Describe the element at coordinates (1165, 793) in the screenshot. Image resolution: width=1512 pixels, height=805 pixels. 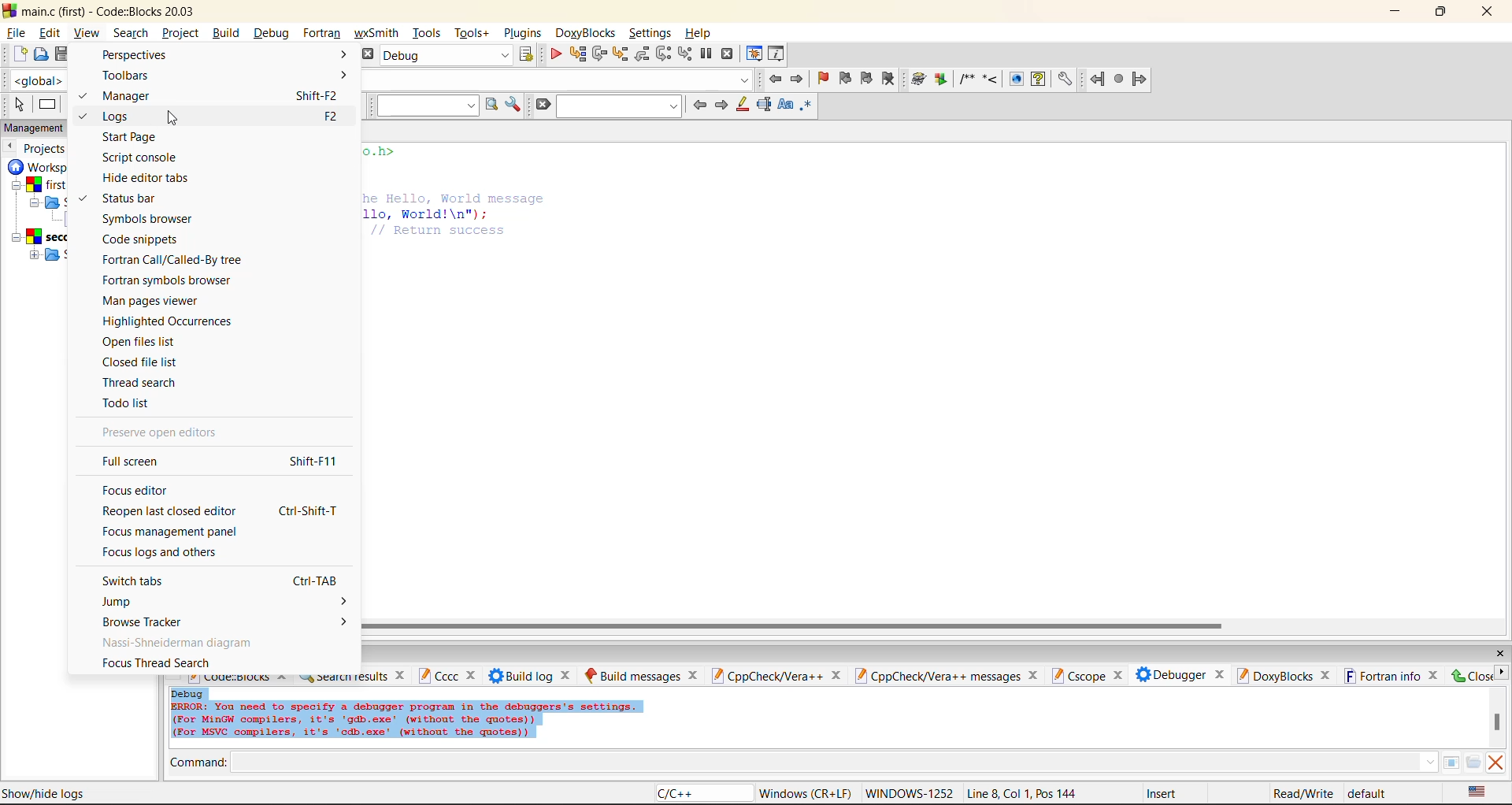
I see `insert` at that location.